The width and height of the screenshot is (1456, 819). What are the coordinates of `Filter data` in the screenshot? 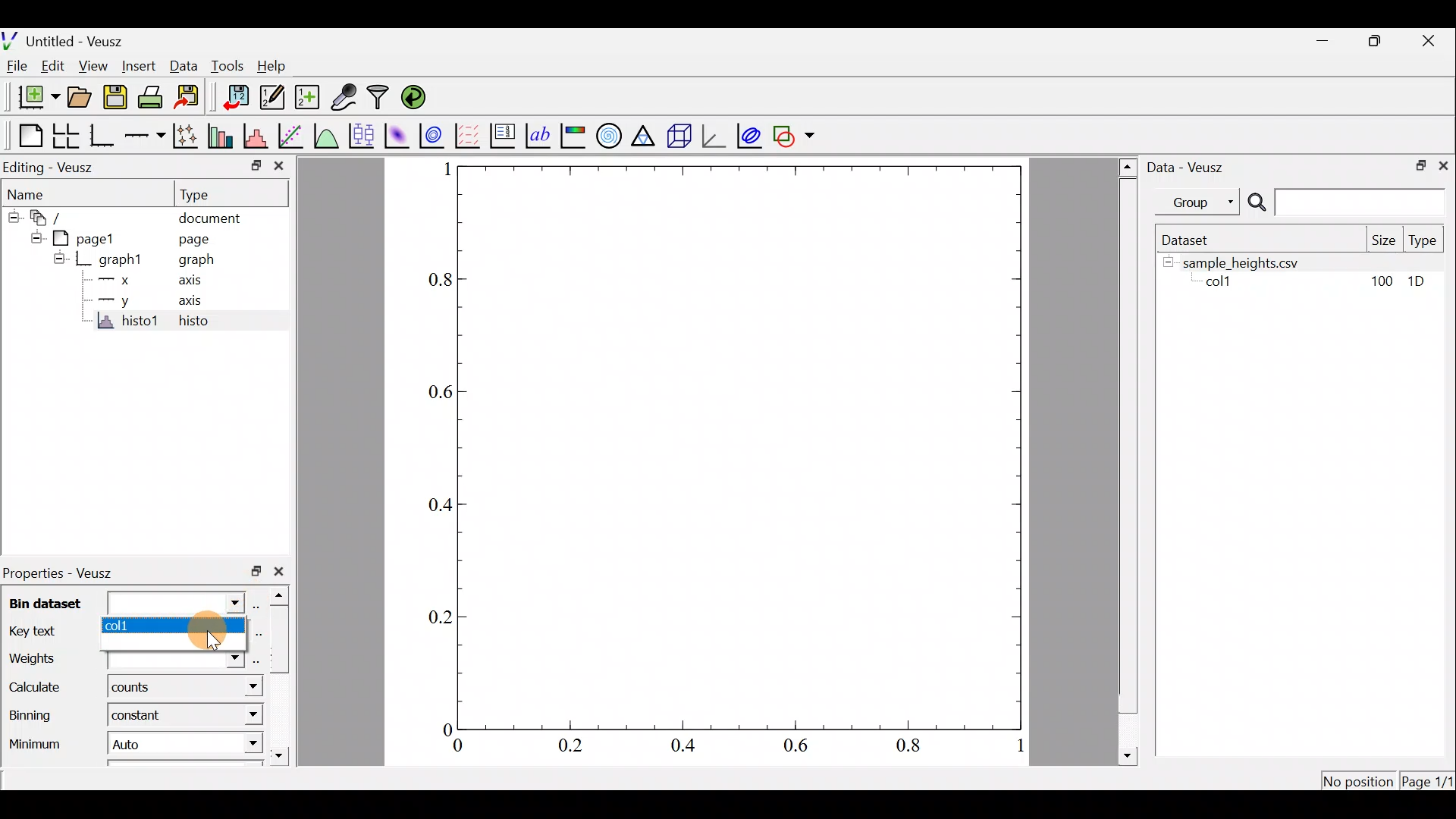 It's located at (381, 96).